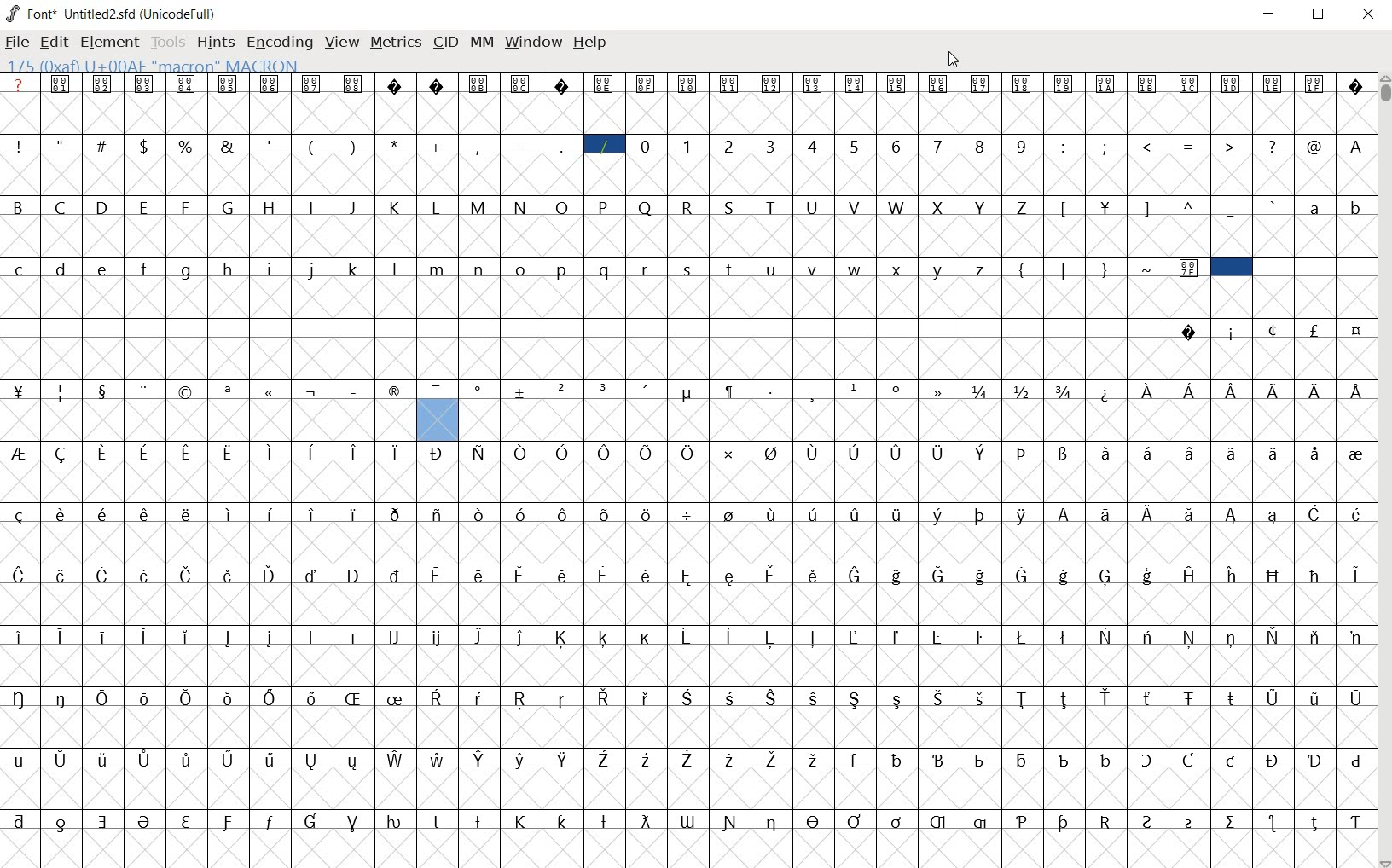 Image resolution: width=1392 pixels, height=868 pixels. I want to click on 2, so click(731, 146).